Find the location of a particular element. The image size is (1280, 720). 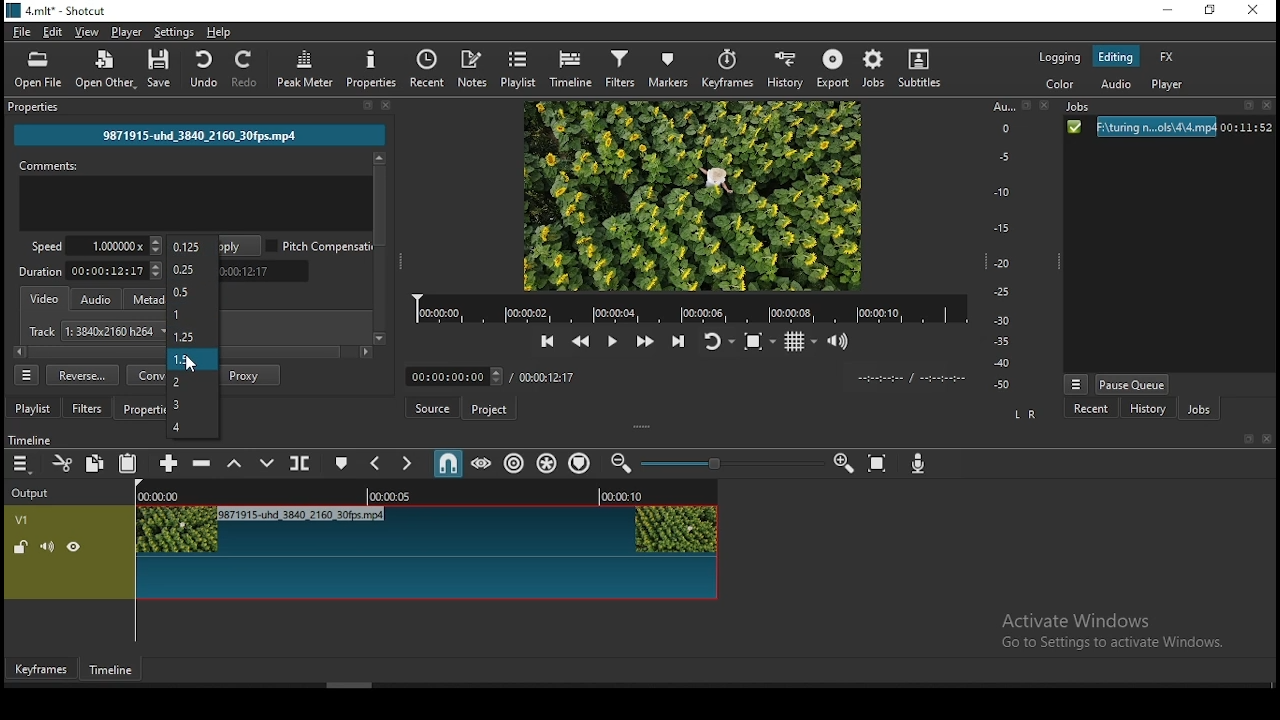

help is located at coordinates (222, 31).